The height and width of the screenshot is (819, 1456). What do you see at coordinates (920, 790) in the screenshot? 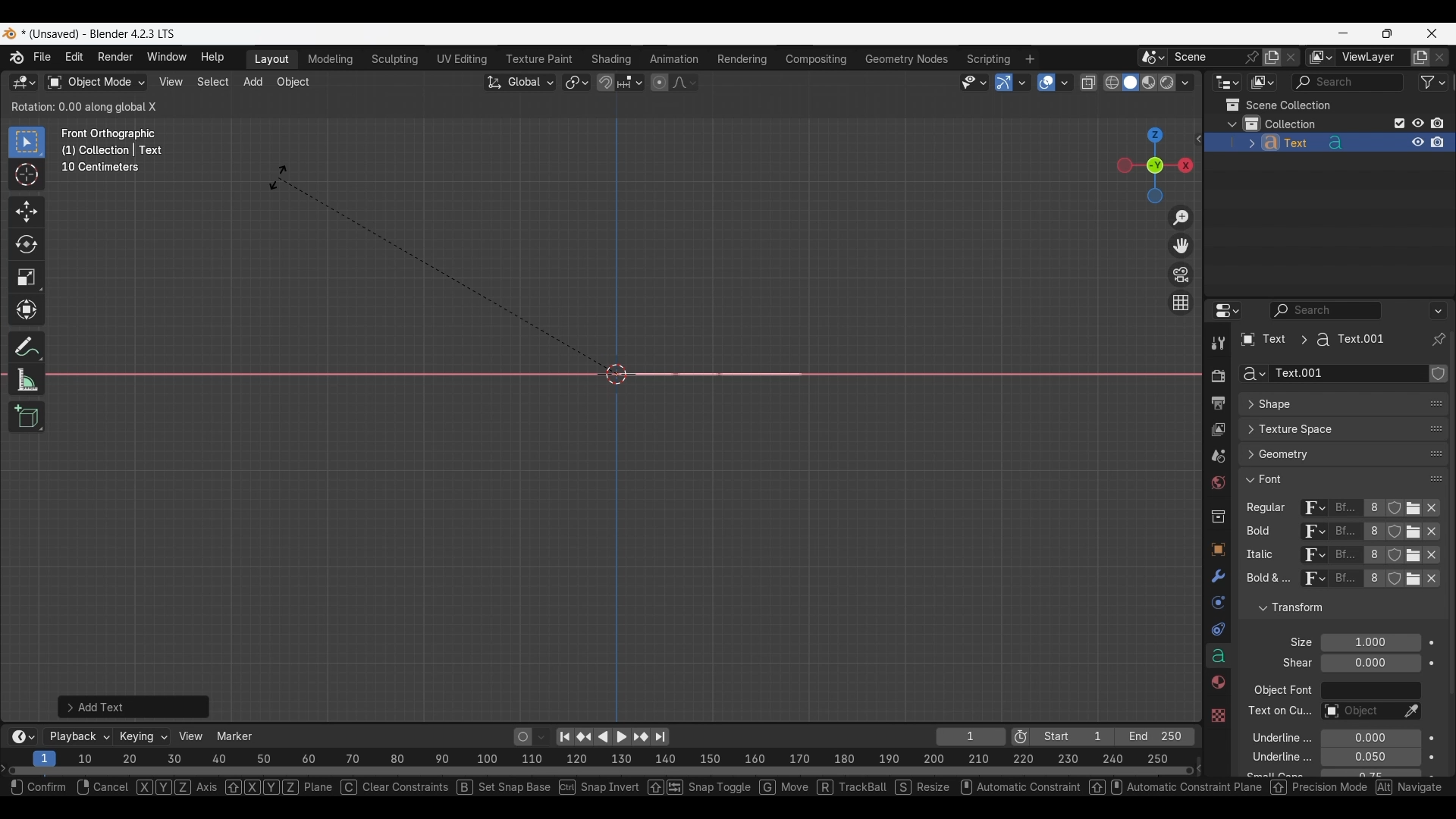
I see `resize` at bounding box center [920, 790].